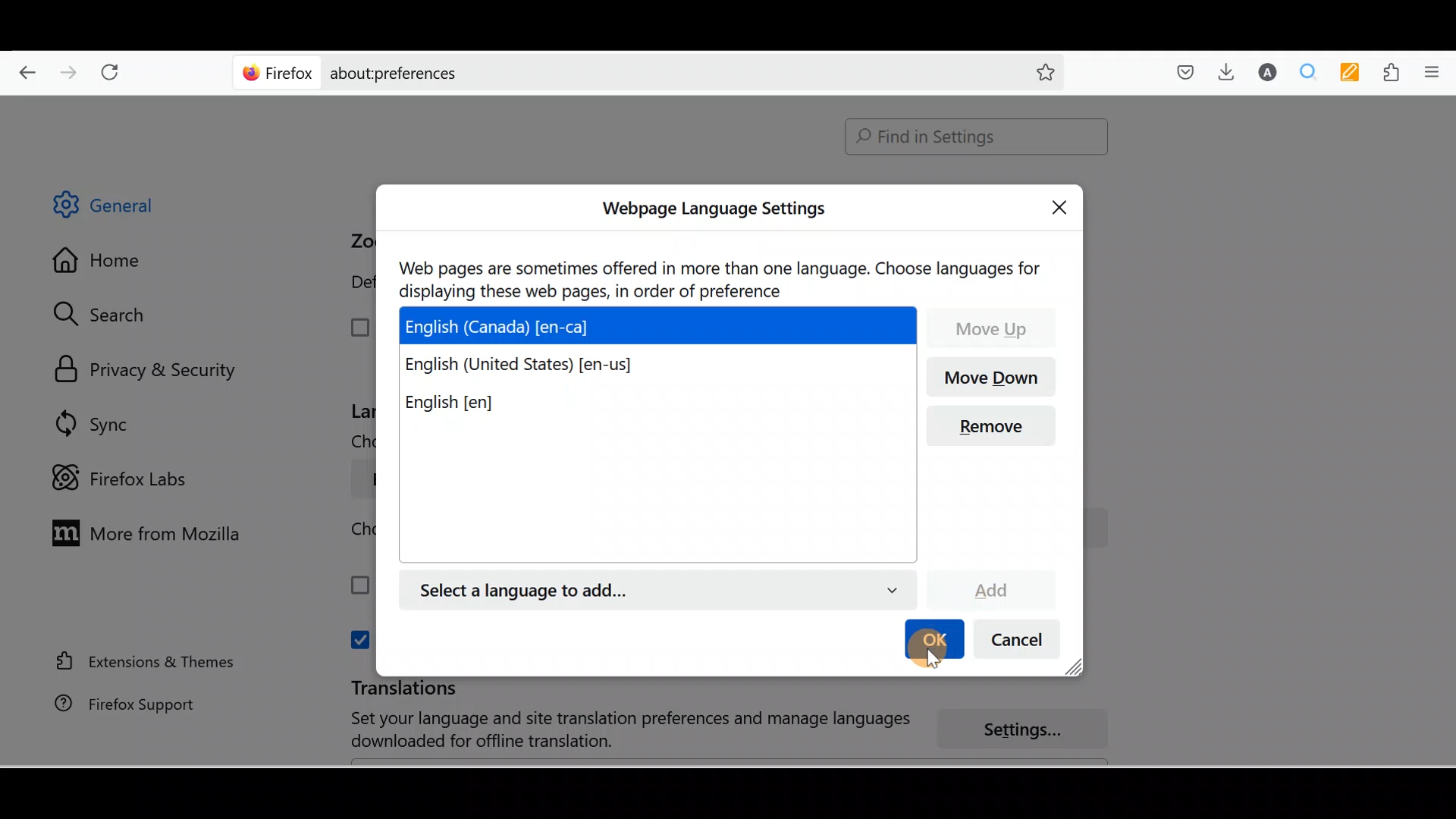 The height and width of the screenshot is (819, 1456). Describe the element at coordinates (652, 369) in the screenshot. I see `English (United States) [en-us]` at that location.